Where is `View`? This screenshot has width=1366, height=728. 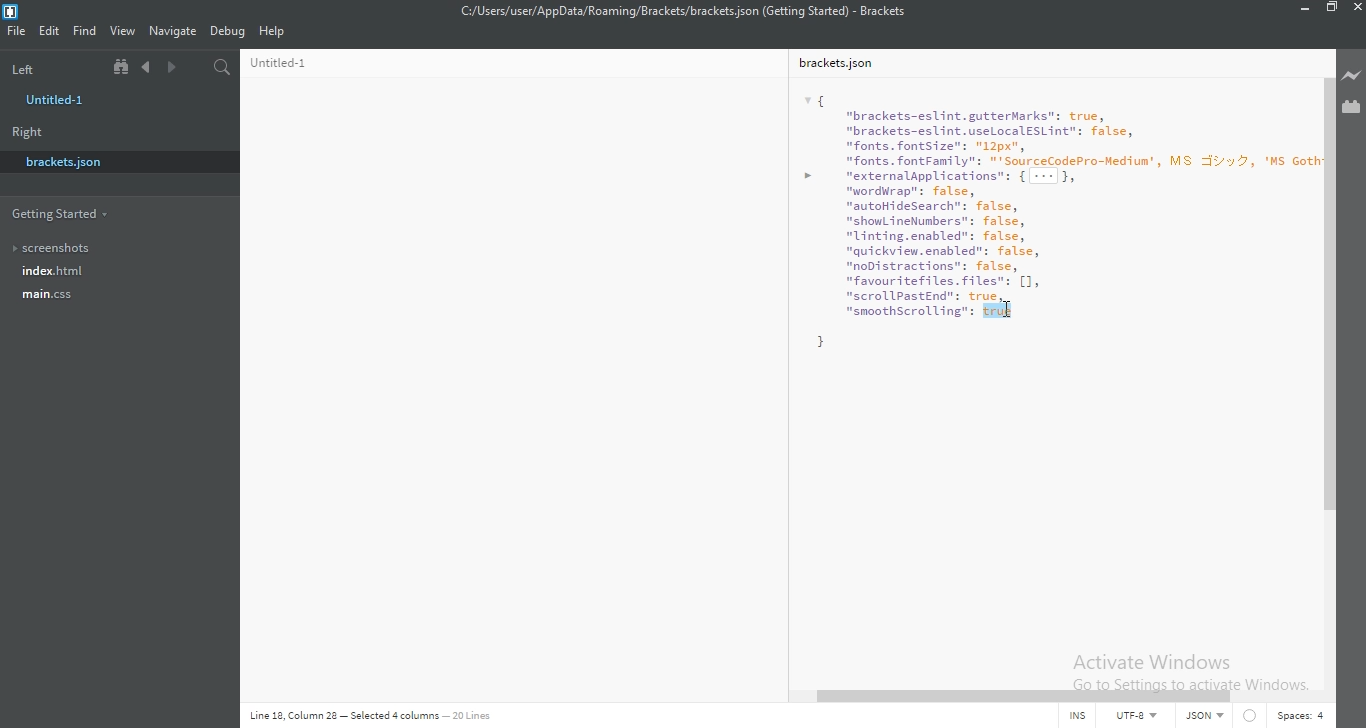 View is located at coordinates (125, 29).